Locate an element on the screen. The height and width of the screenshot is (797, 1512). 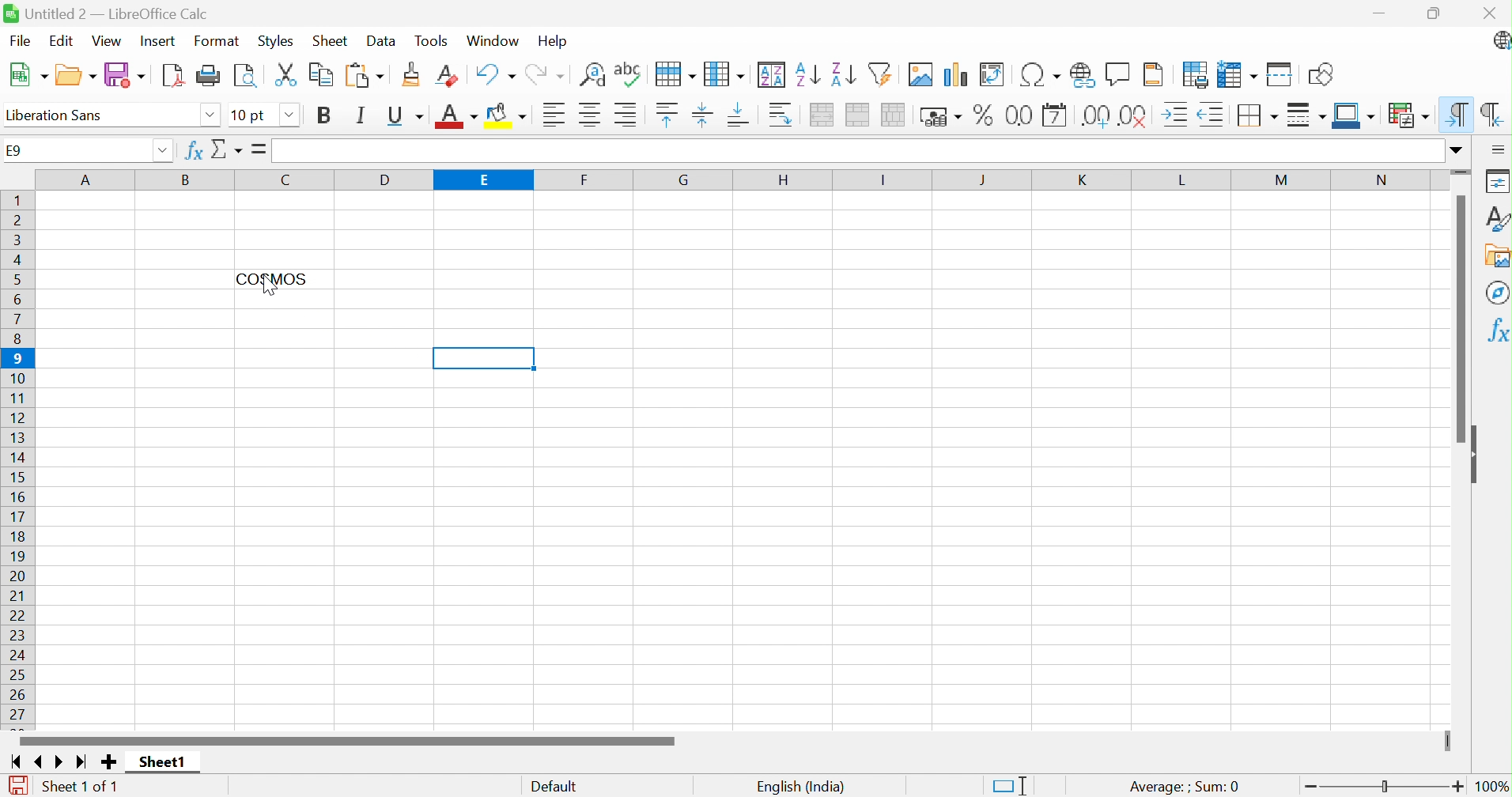
Expand formula bar is located at coordinates (1461, 150).